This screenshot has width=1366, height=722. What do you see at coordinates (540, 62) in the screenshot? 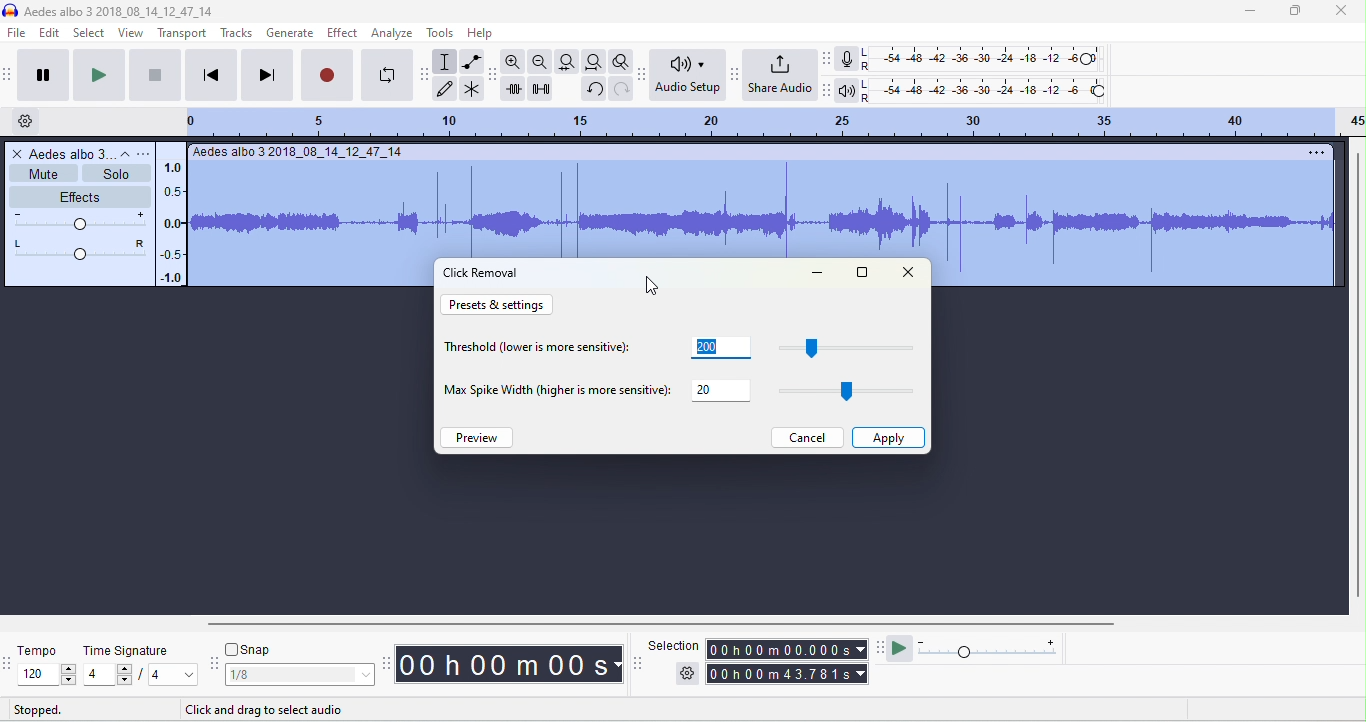
I see `zoom out` at bounding box center [540, 62].